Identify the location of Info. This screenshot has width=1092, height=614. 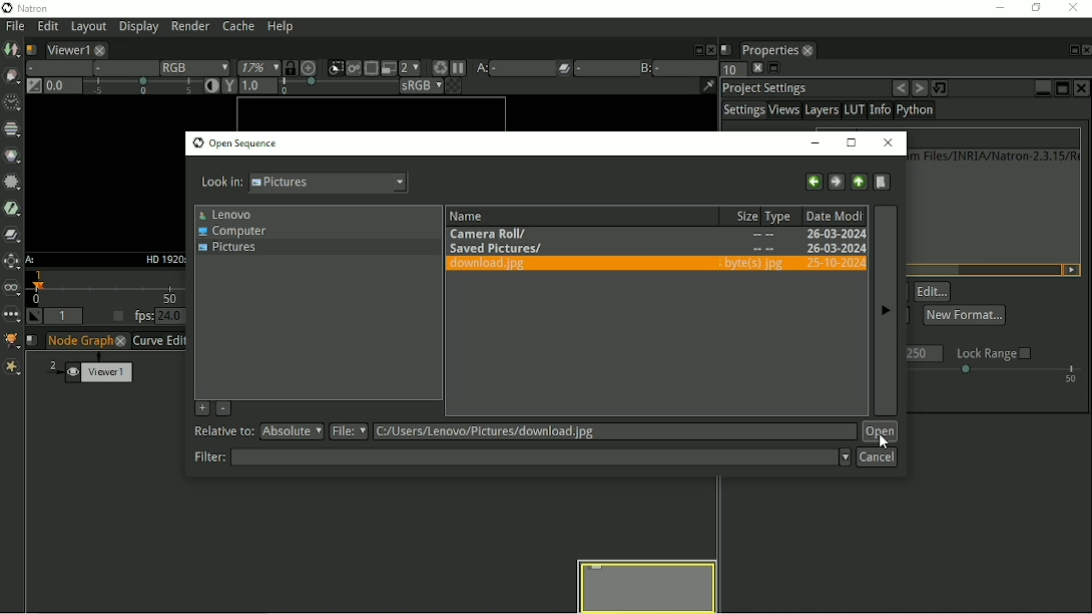
(879, 111).